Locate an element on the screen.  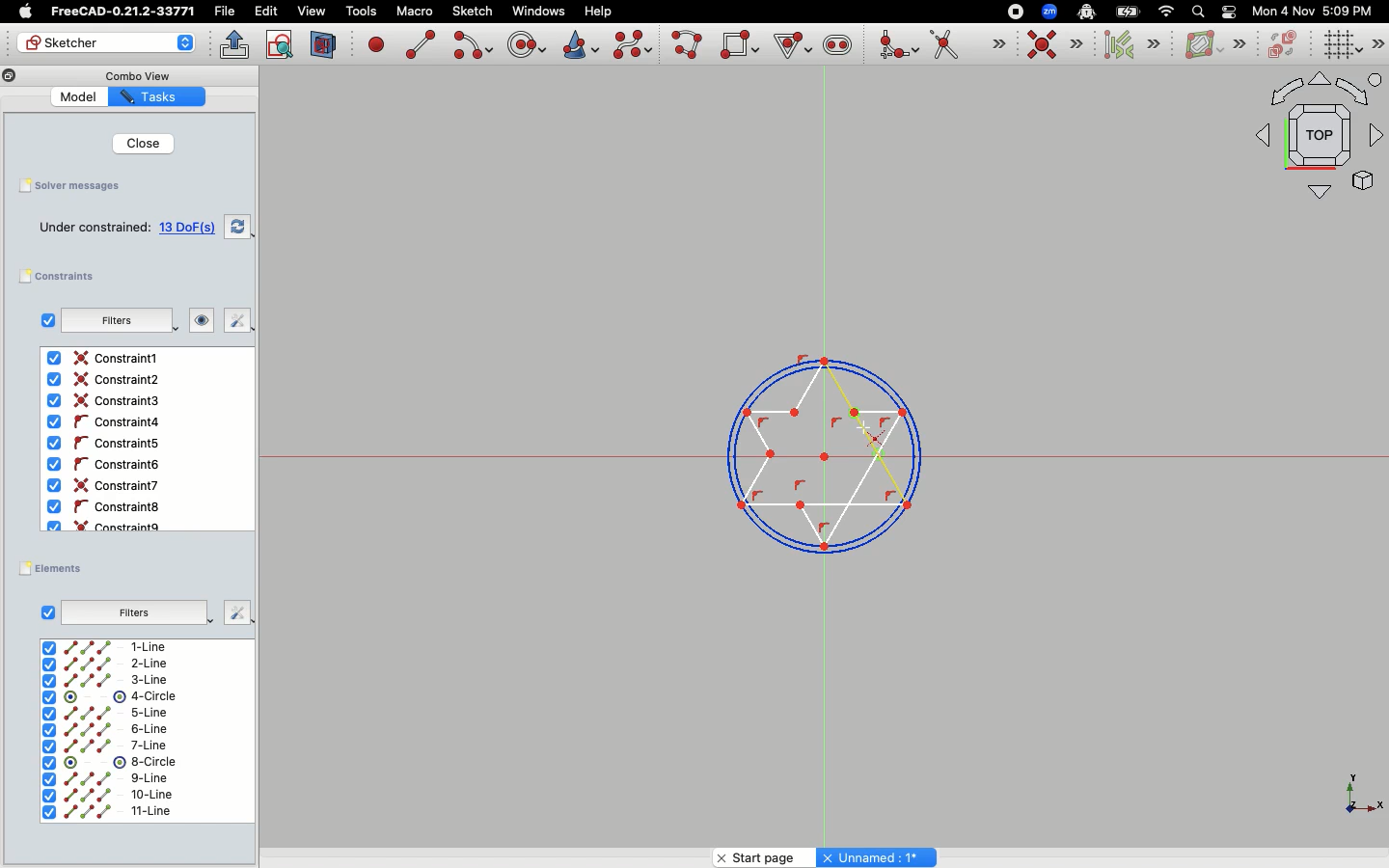
Tasks is located at coordinates (157, 97).